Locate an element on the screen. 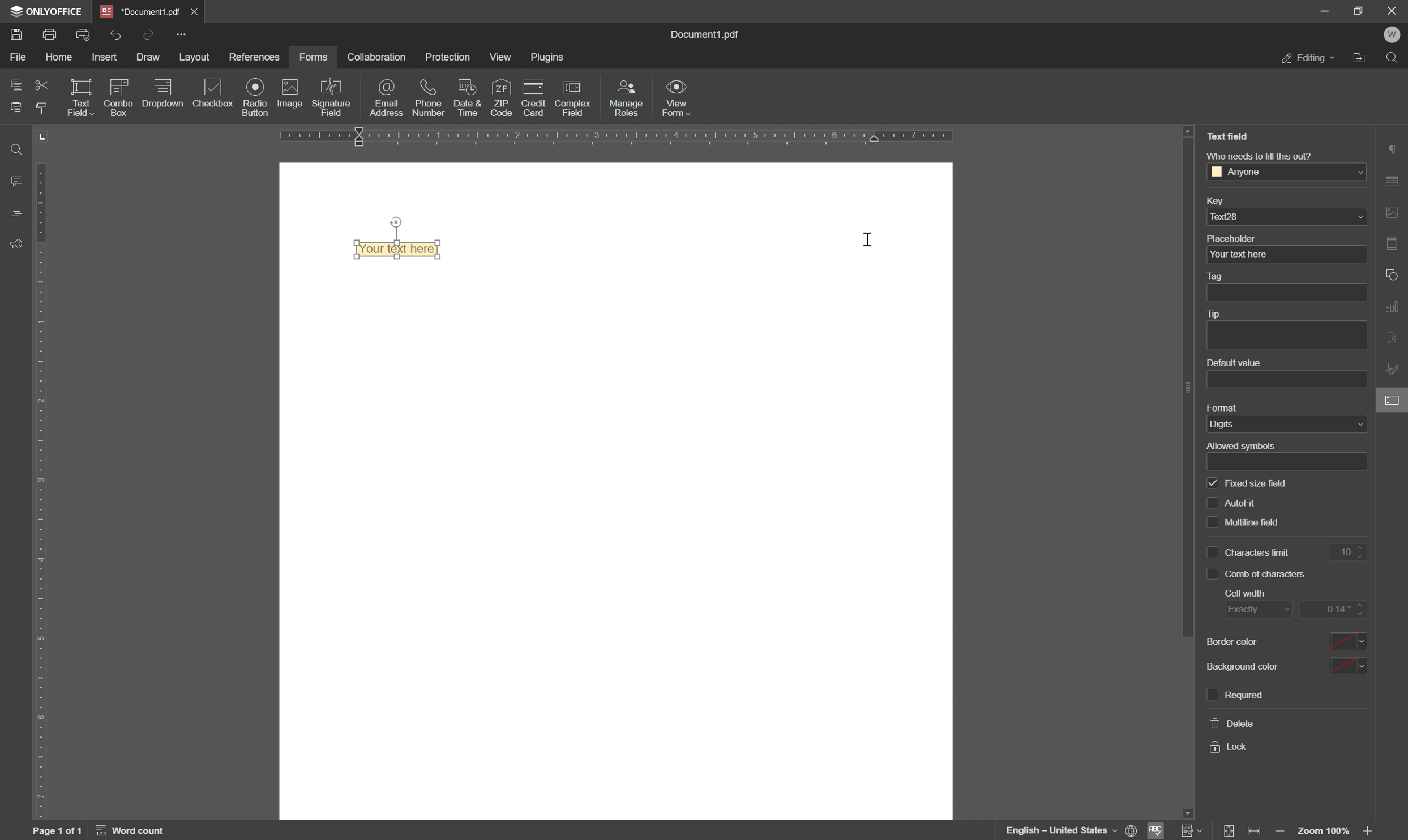 This screenshot has width=1408, height=840. copy is located at coordinates (15, 85).